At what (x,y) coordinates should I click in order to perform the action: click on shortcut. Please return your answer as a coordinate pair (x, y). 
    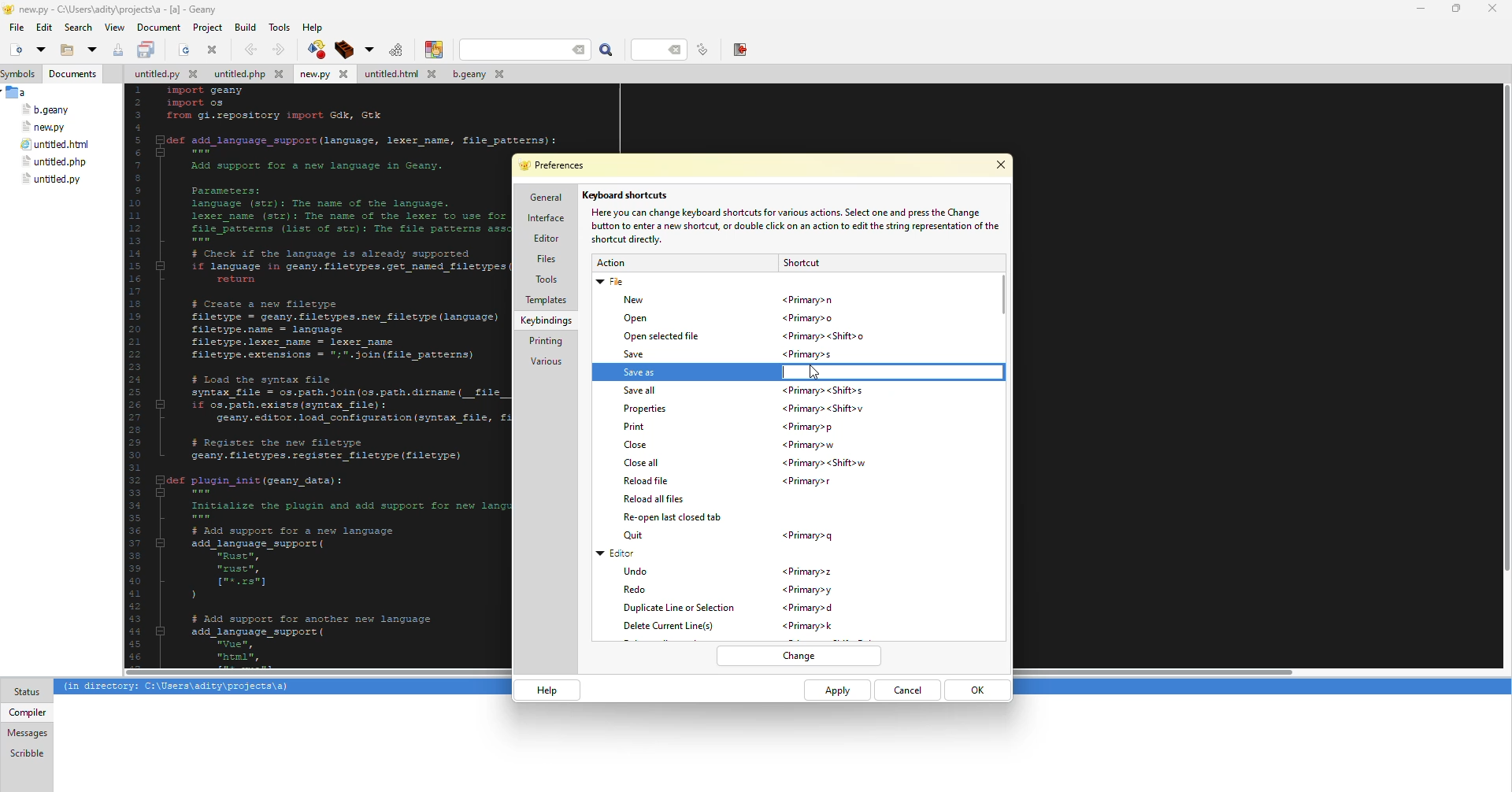
    Looking at the image, I should click on (810, 482).